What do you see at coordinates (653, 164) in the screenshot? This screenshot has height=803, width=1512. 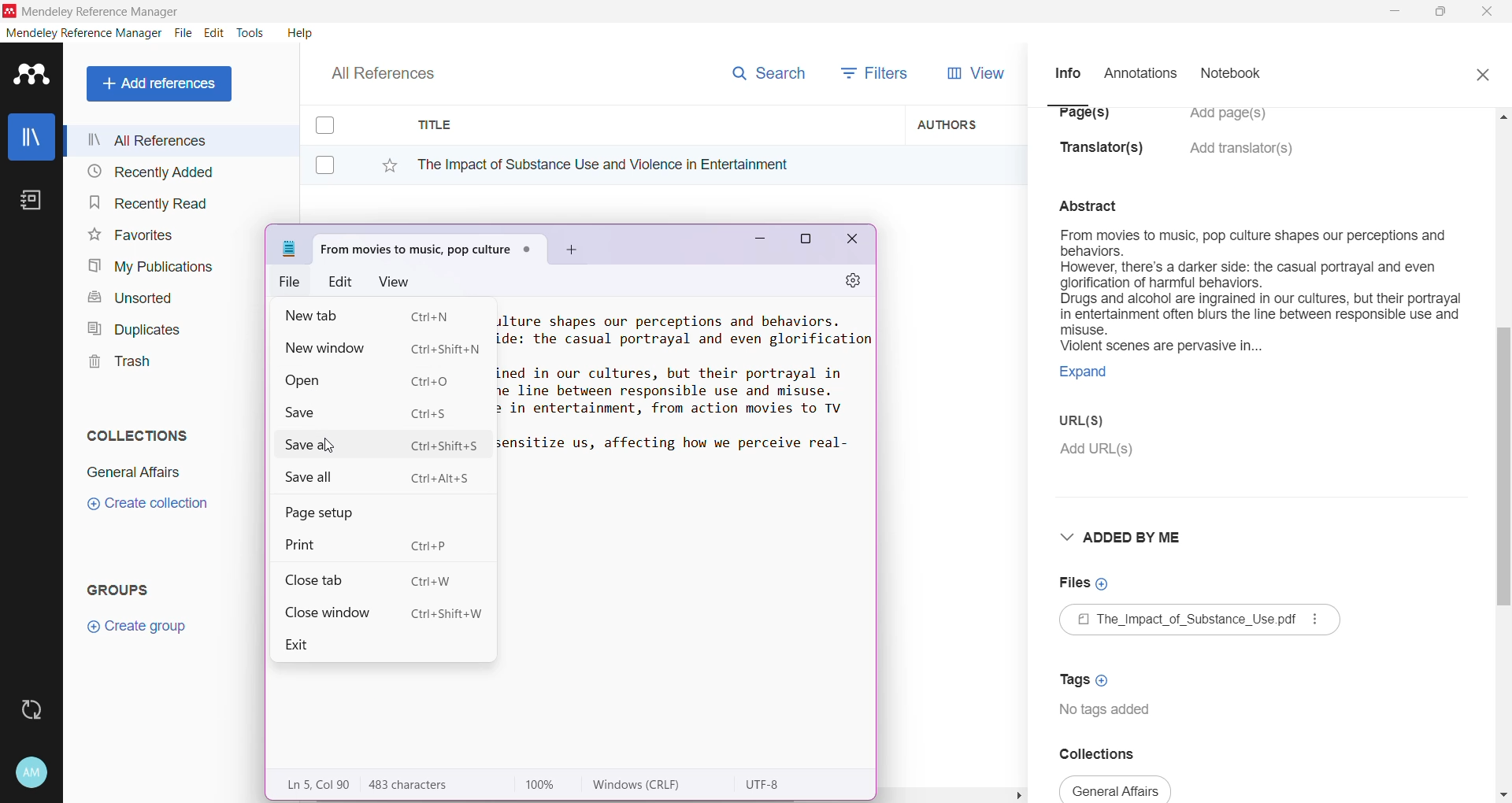 I see `Reference Title` at bounding box center [653, 164].